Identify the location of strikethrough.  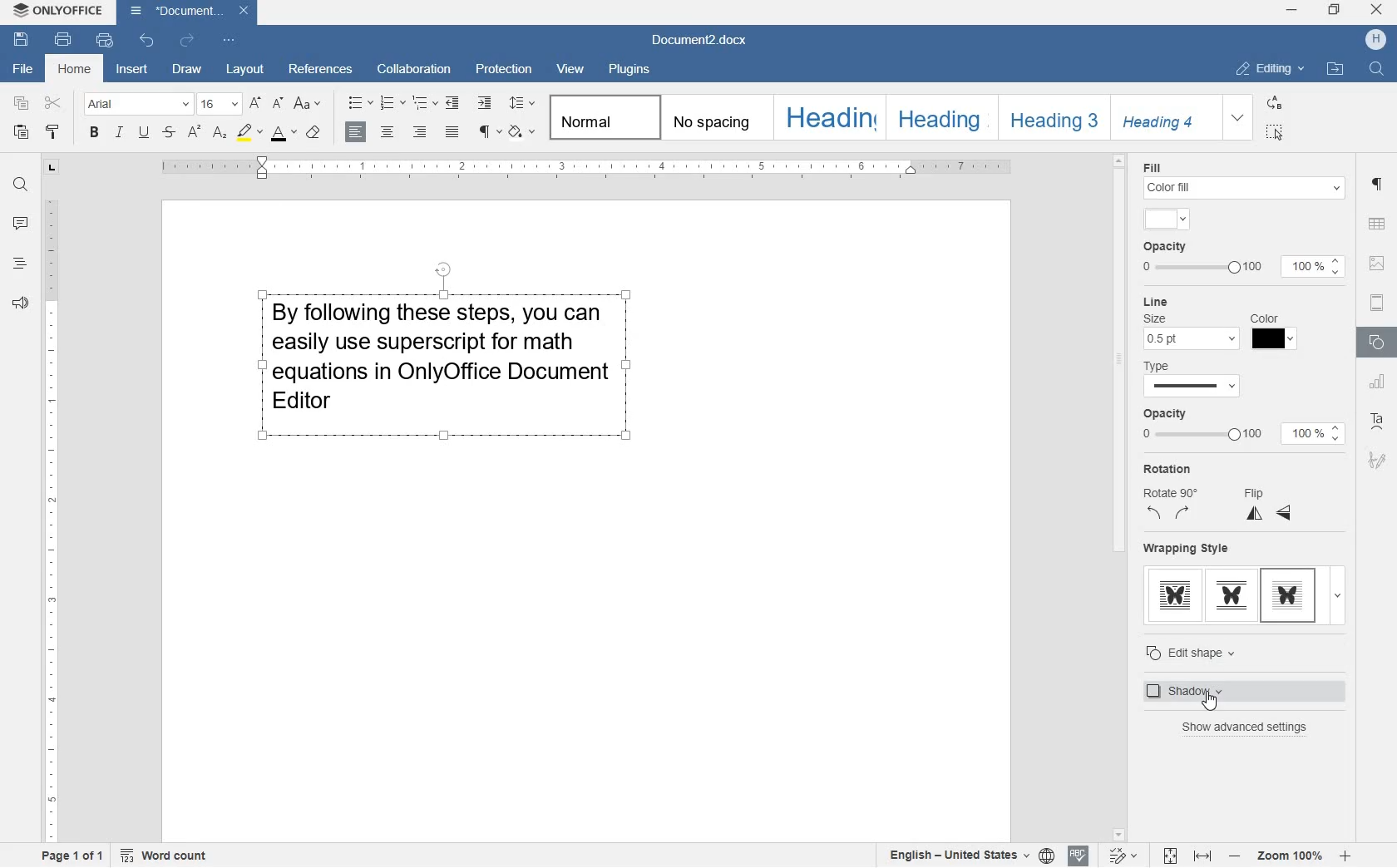
(169, 133).